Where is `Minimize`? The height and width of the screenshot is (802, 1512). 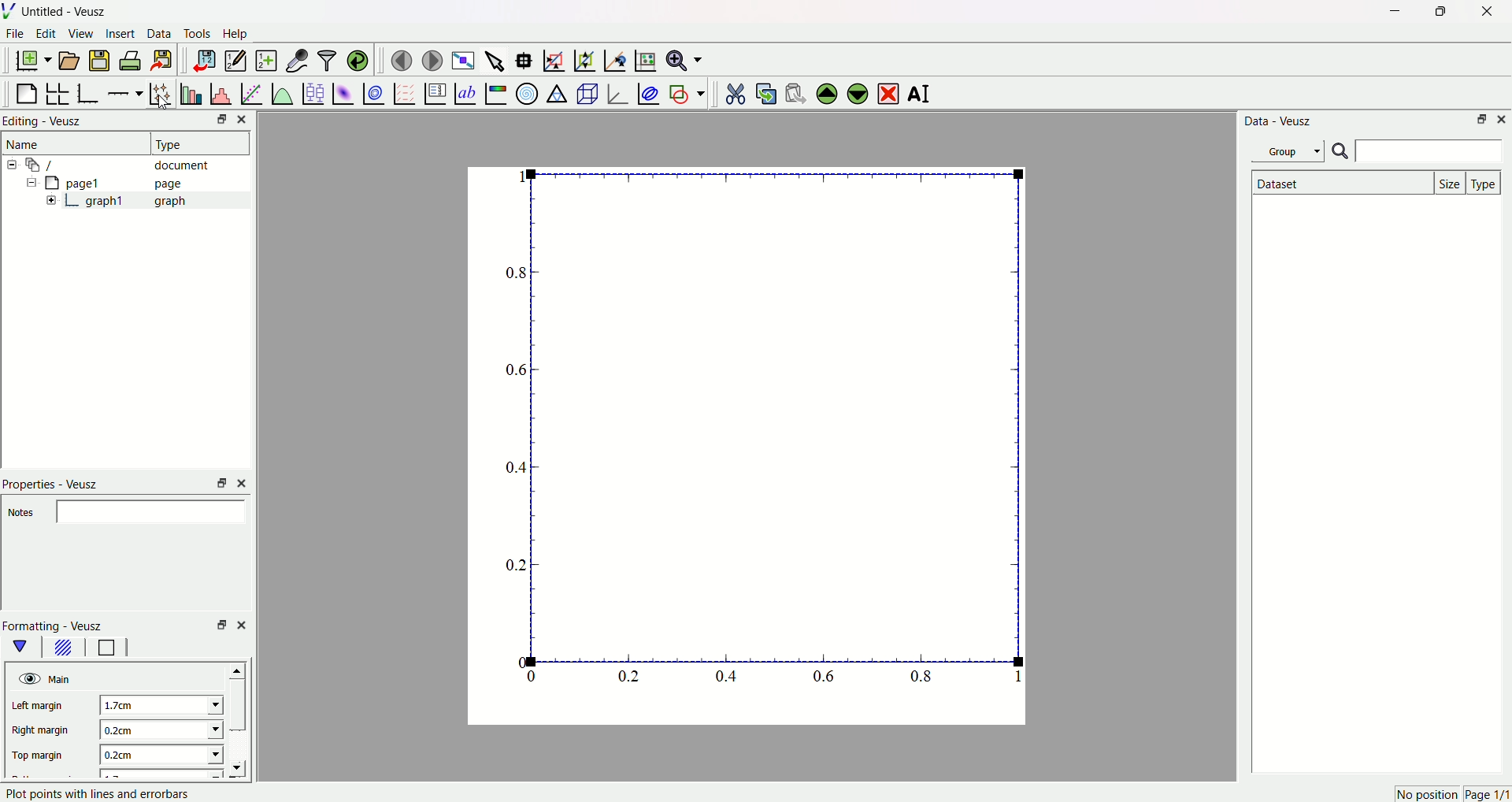
Minimize is located at coordinates (1391, 12).